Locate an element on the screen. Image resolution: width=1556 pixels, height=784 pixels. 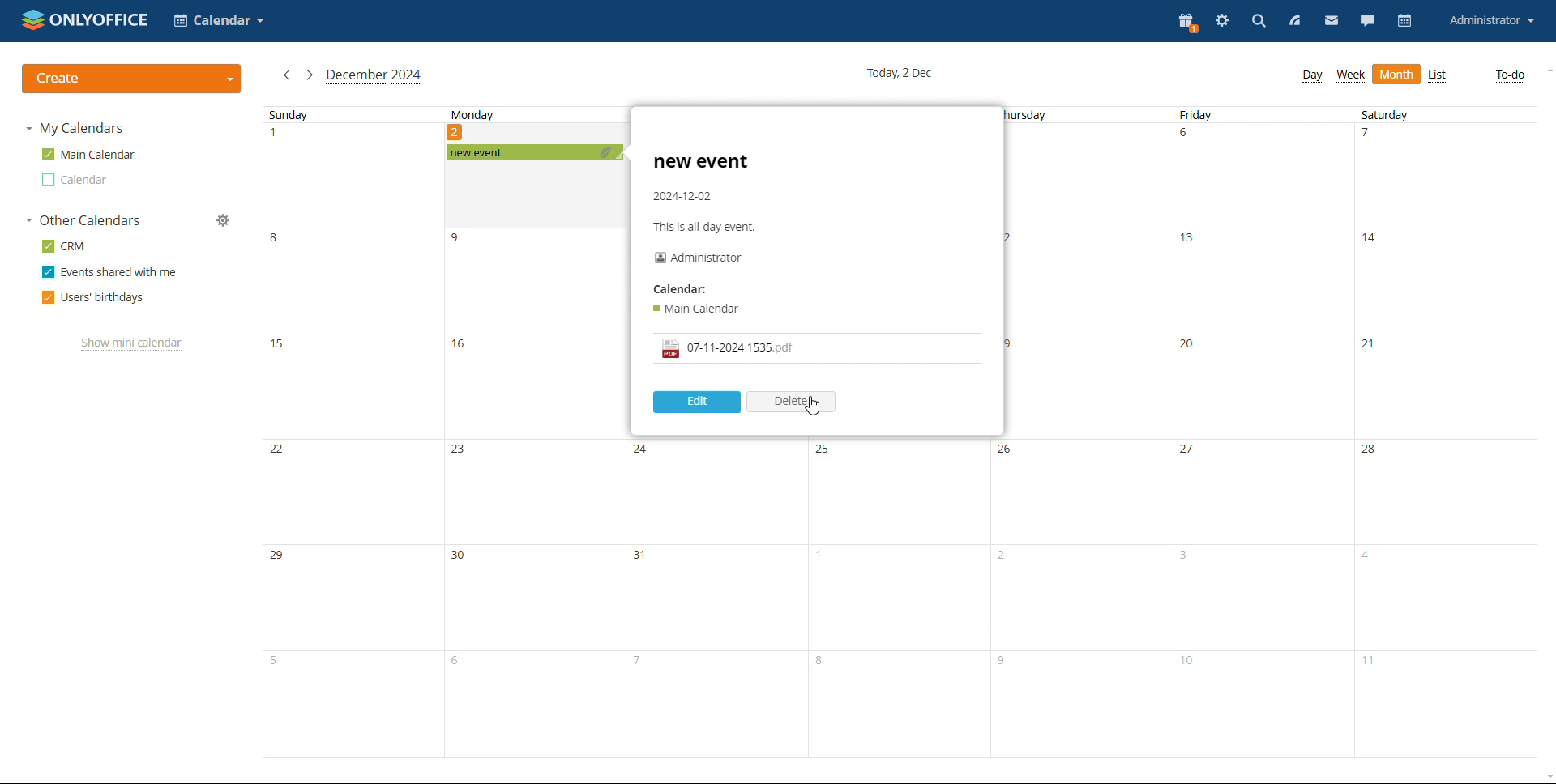
Administrator is located at coordinates (1491, 21).